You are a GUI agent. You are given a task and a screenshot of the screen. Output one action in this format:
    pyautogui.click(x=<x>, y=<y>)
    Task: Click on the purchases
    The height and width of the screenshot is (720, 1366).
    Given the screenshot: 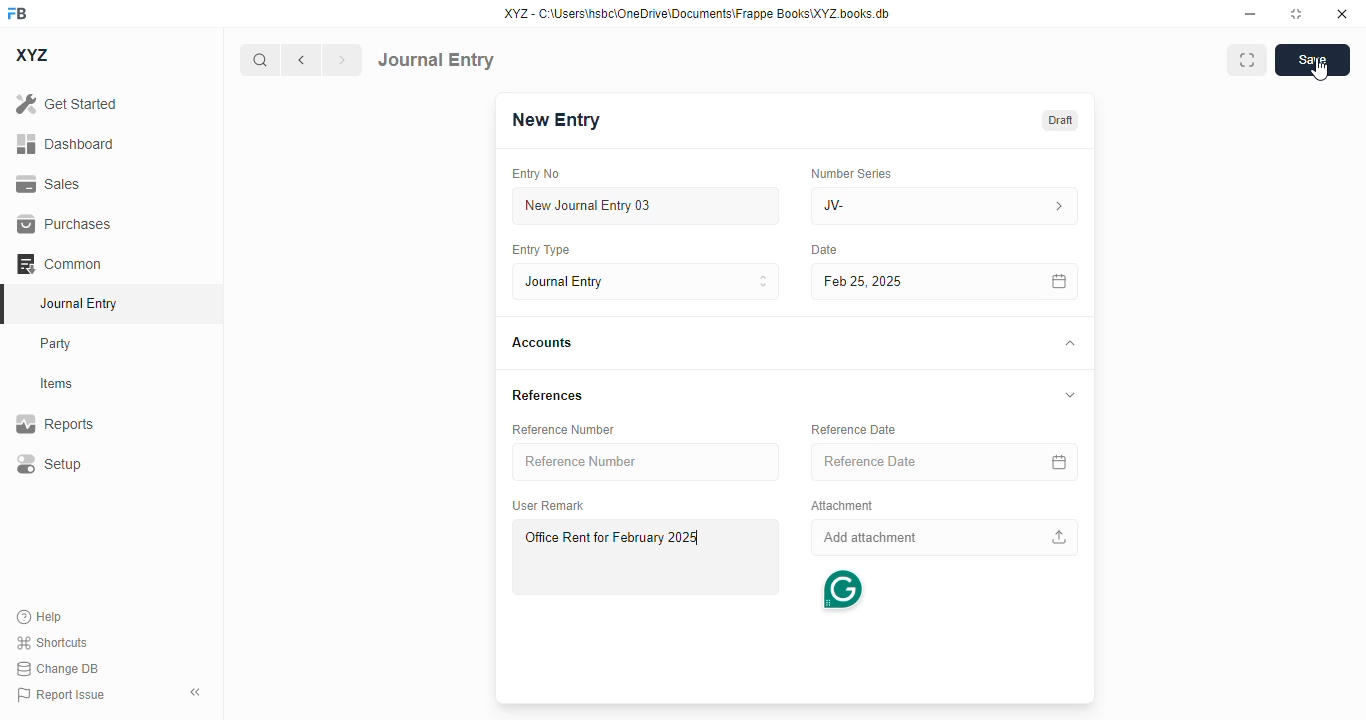 What is the action you would take?
    pyautogui.click(x=65, y=224)
    